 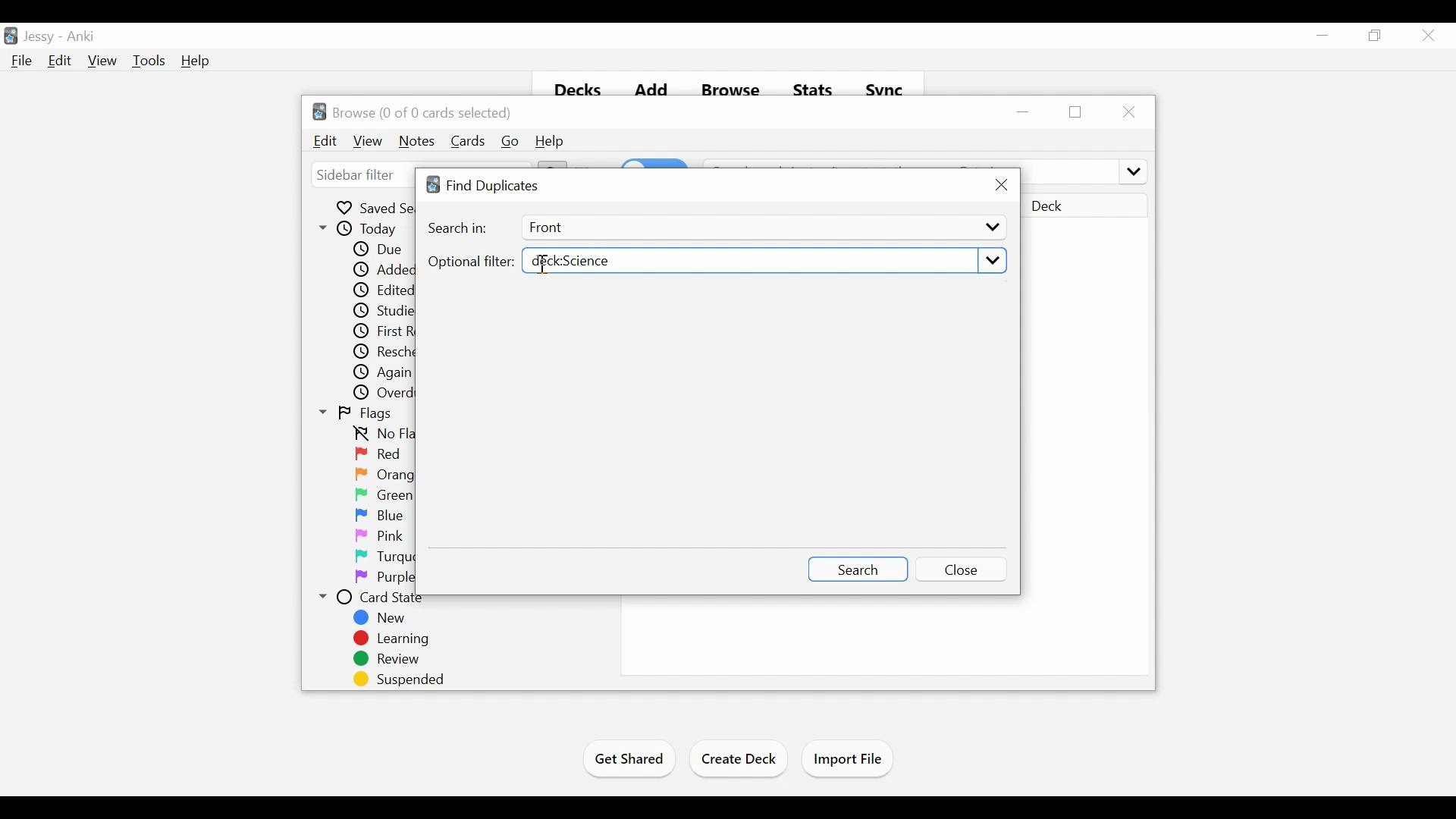 What do you see at coordinates (379, 537) in the screenshot?
I see `Pink` at bounding box center [379, 537].